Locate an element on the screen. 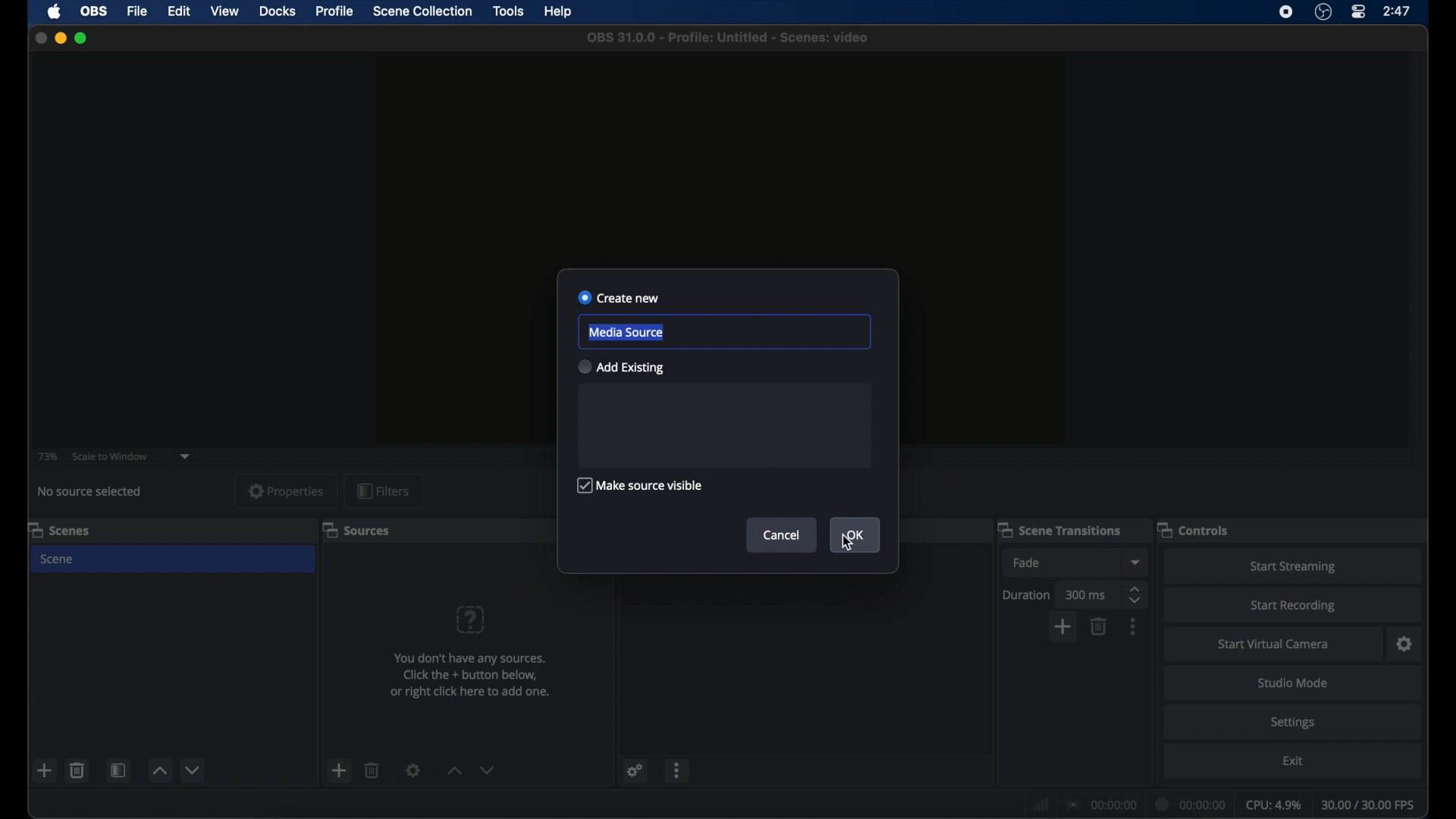 The image size is (1456, 819). scene filters is located at coordinates (119, 770).